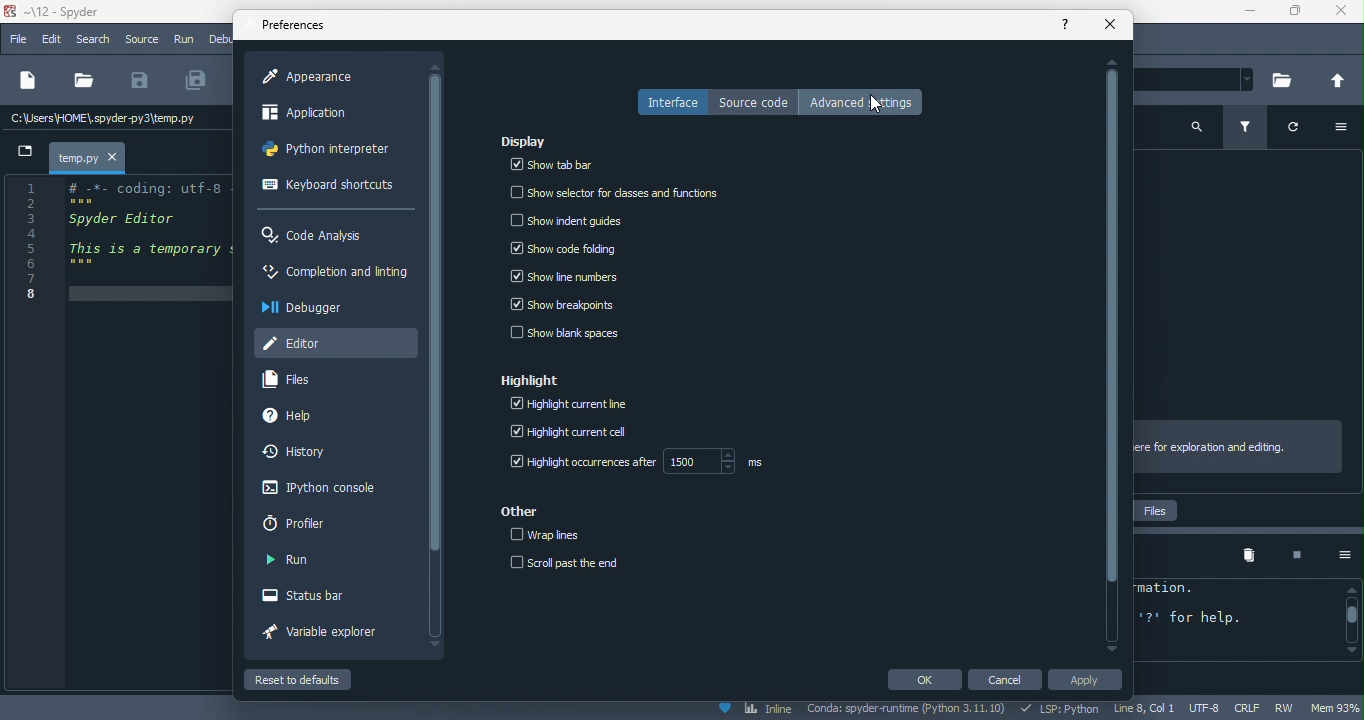 This screenshot has width=1364, height=720. I want to click on help, so click(1066, 23).